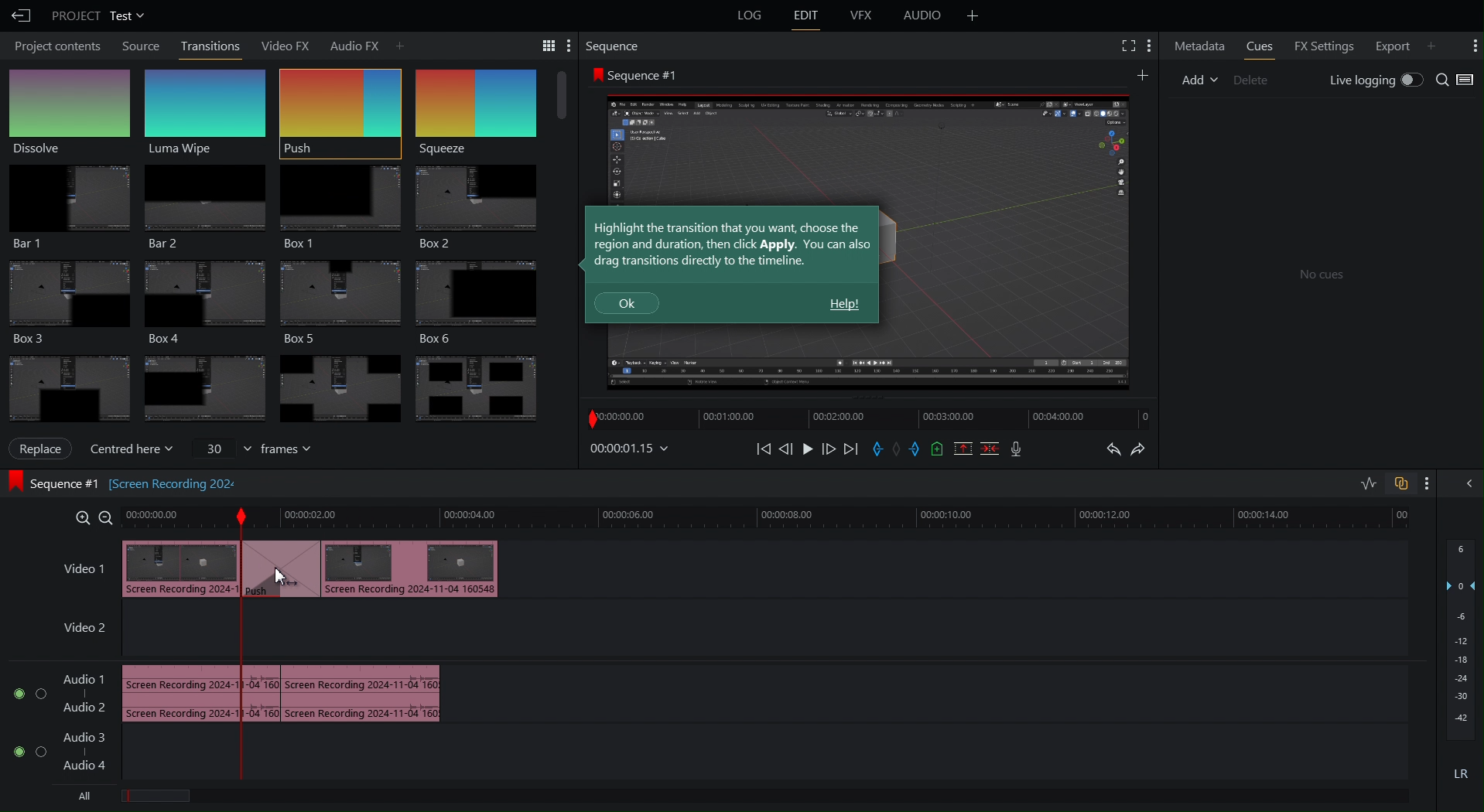  Describe the element at coordinates (173, 483) in the screenshot. I see `[Screen recording 202]` at that location.